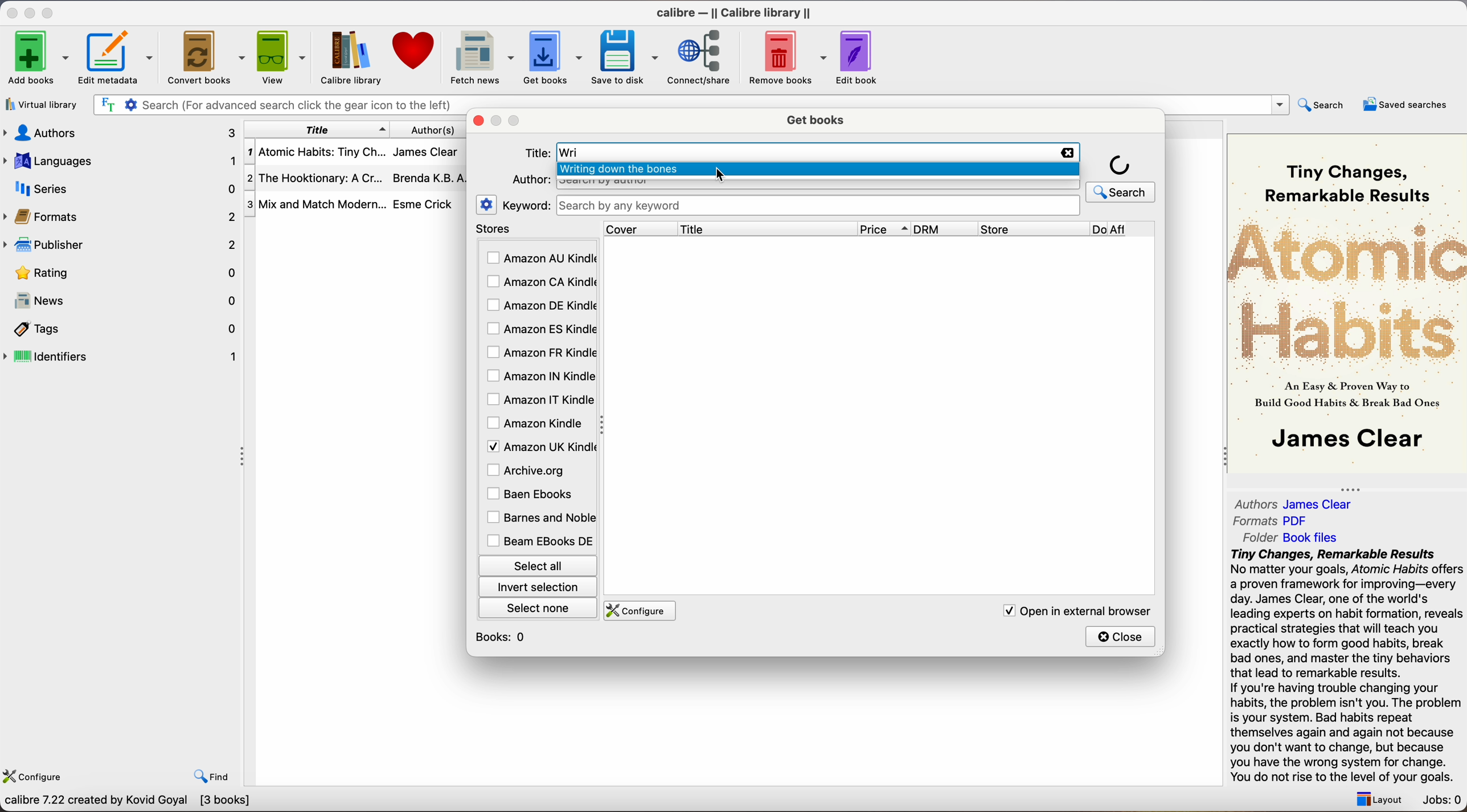 This screenshot has width=1467, height=812. I want to click on select none, so click(539, 607).